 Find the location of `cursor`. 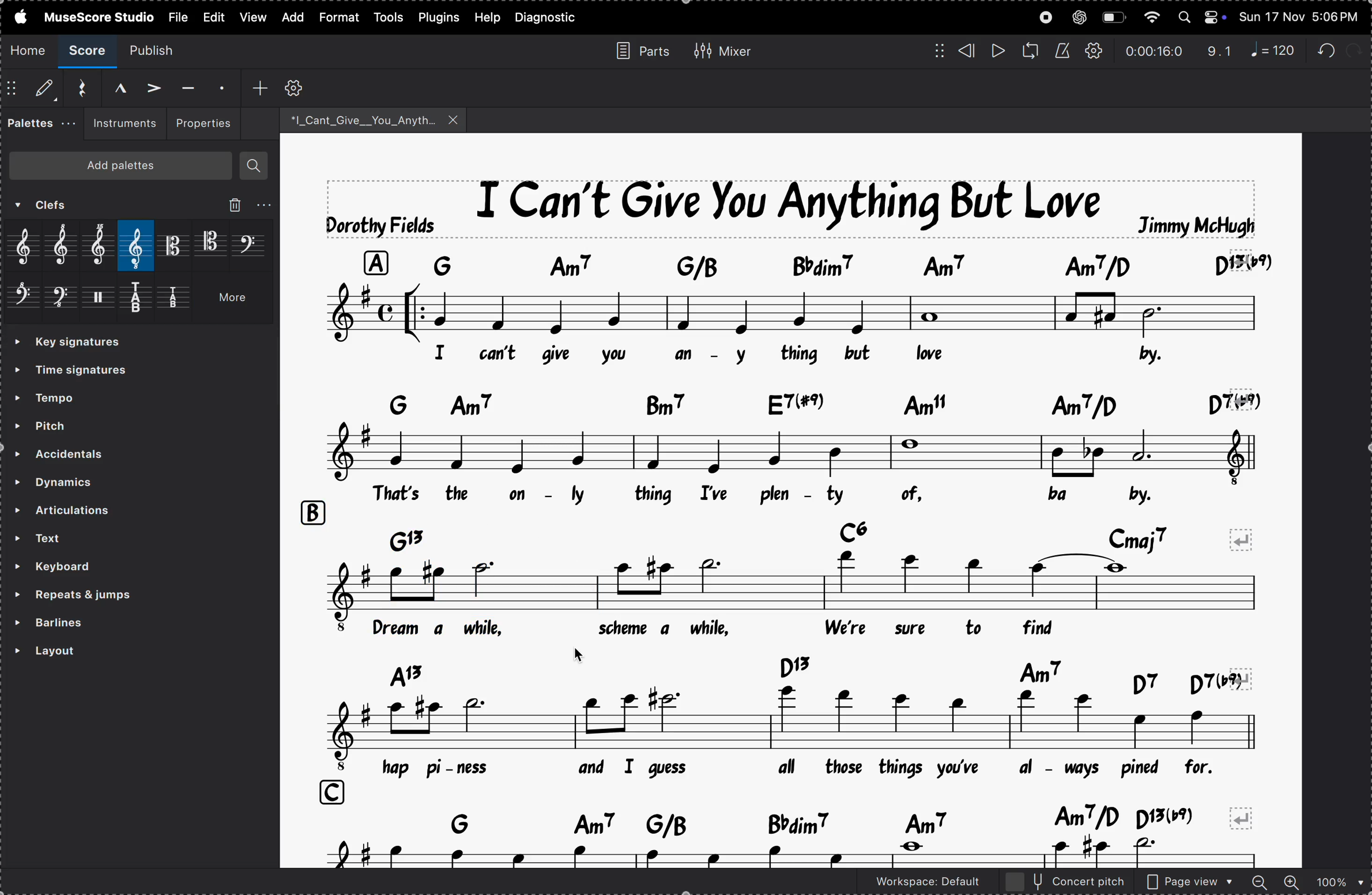

cursor is located at coordinates (587, 655).